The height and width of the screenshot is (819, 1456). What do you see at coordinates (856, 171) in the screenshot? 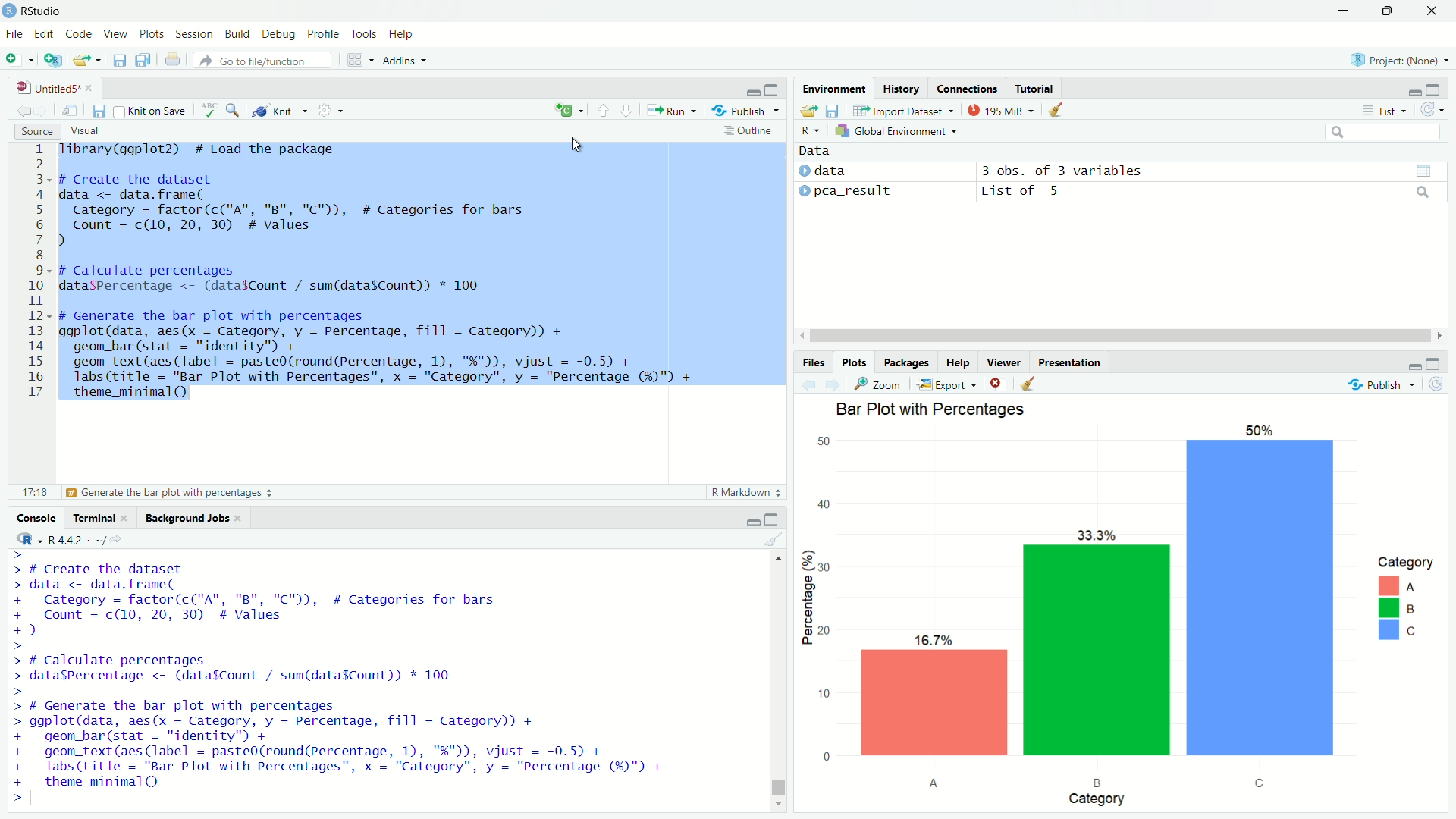
I see `data1 : data` at bounding box center [856, 171].